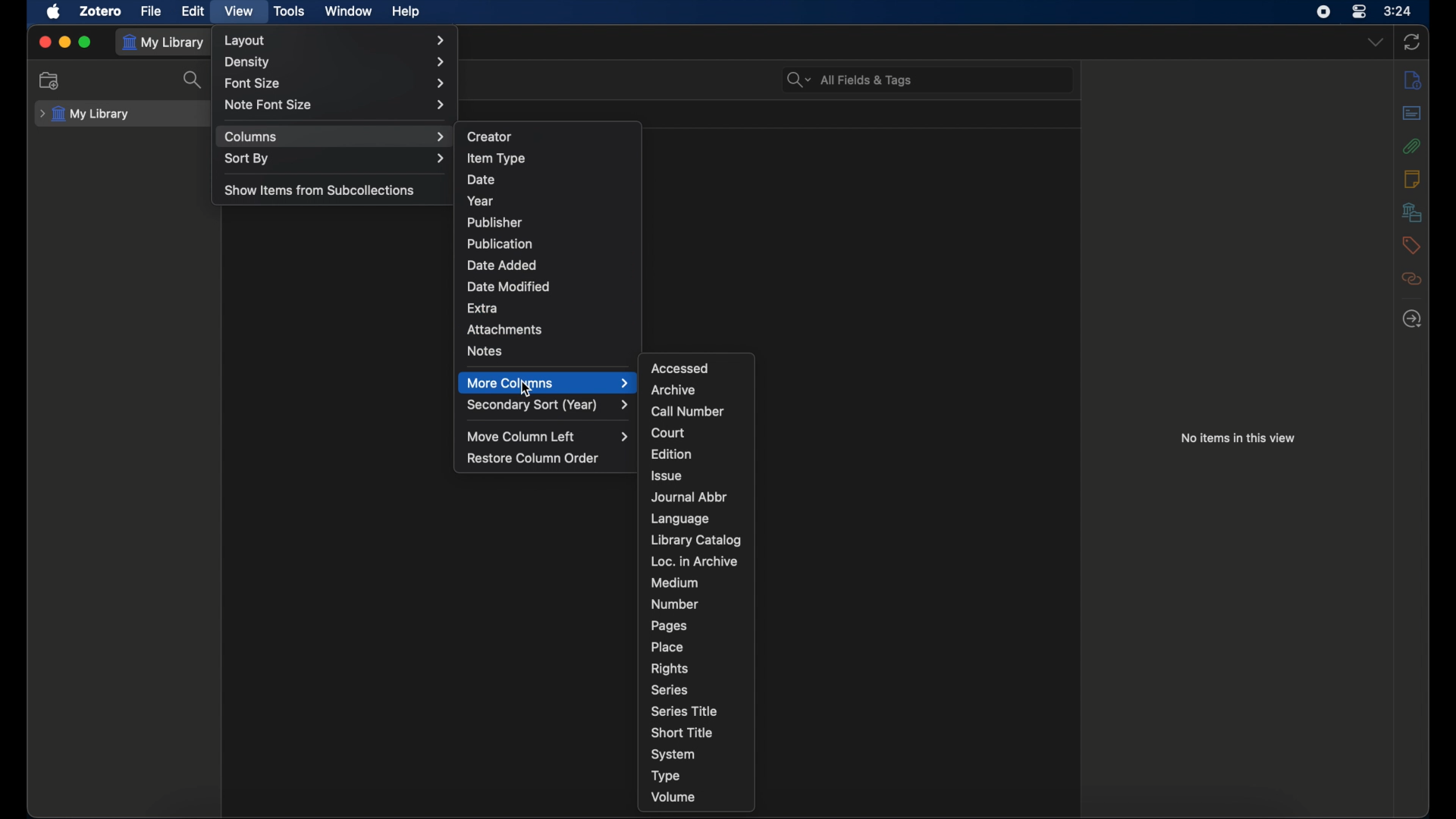  I want to click on density, so click(335, 61).